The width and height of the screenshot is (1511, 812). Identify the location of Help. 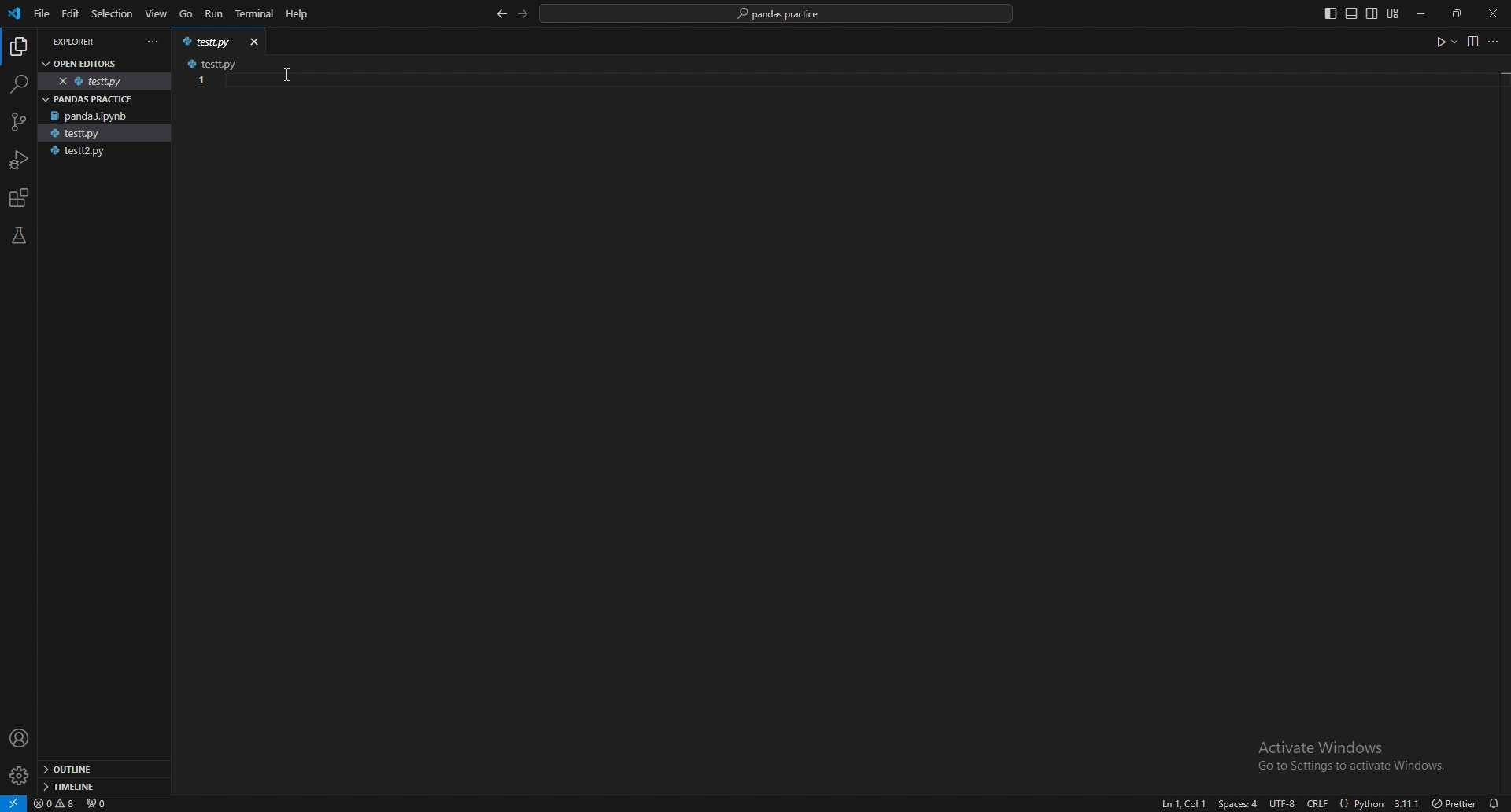
(296, 14).